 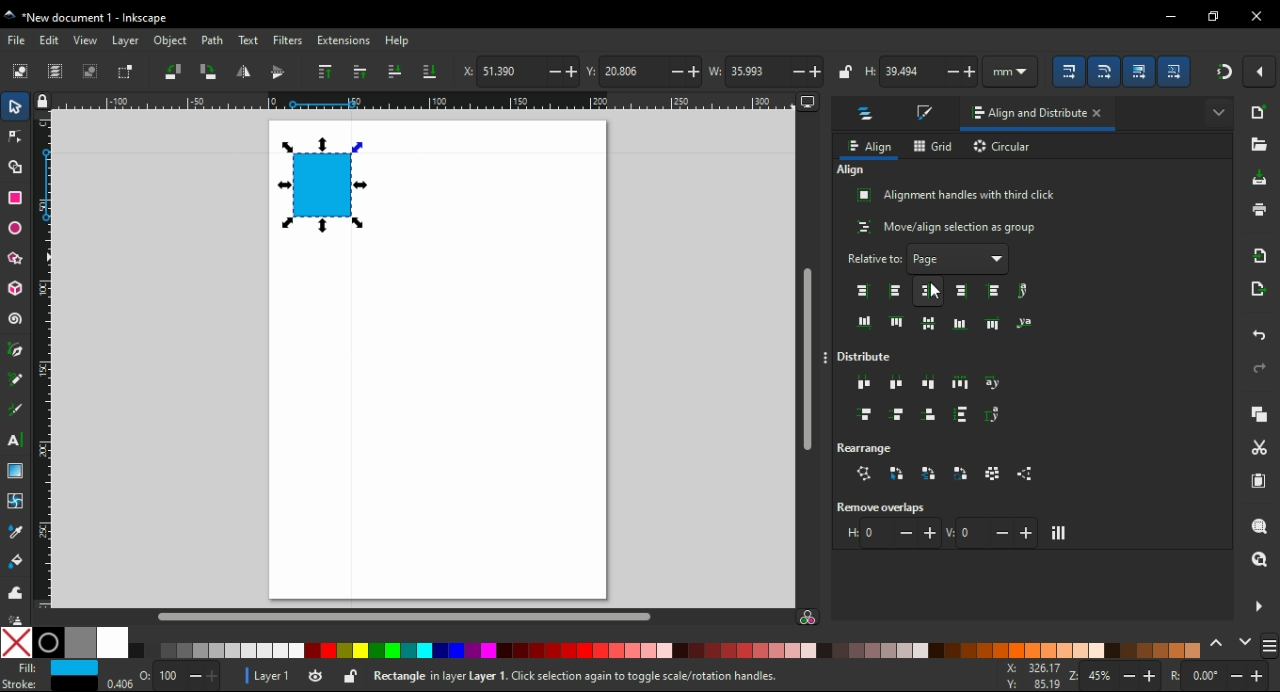 What do you see at coordinates (126, 41) in the screenshot?
I see `layer` at bounding box center [126, 41].